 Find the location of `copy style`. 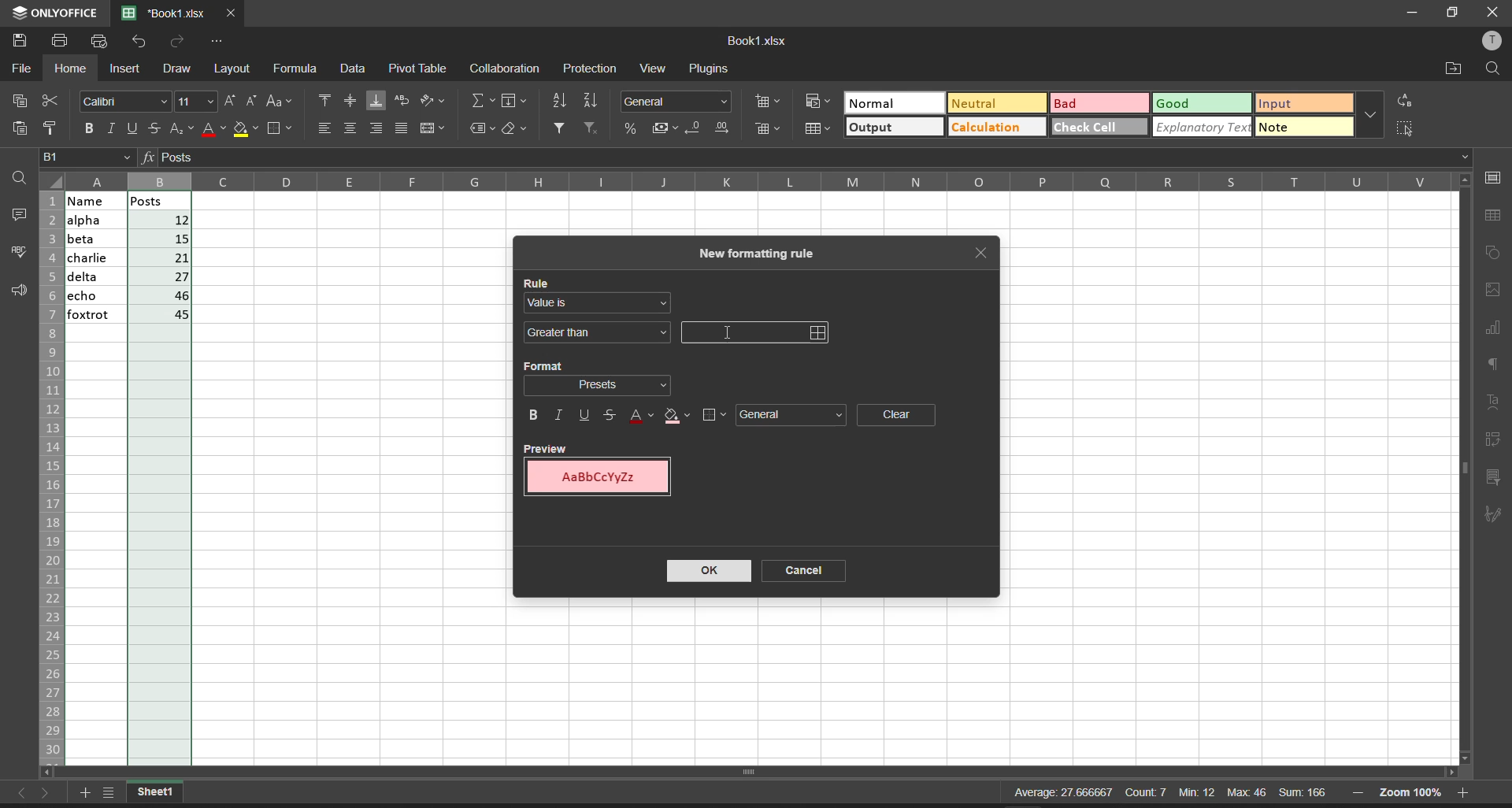

copy style is located at coordinates (52, 128).